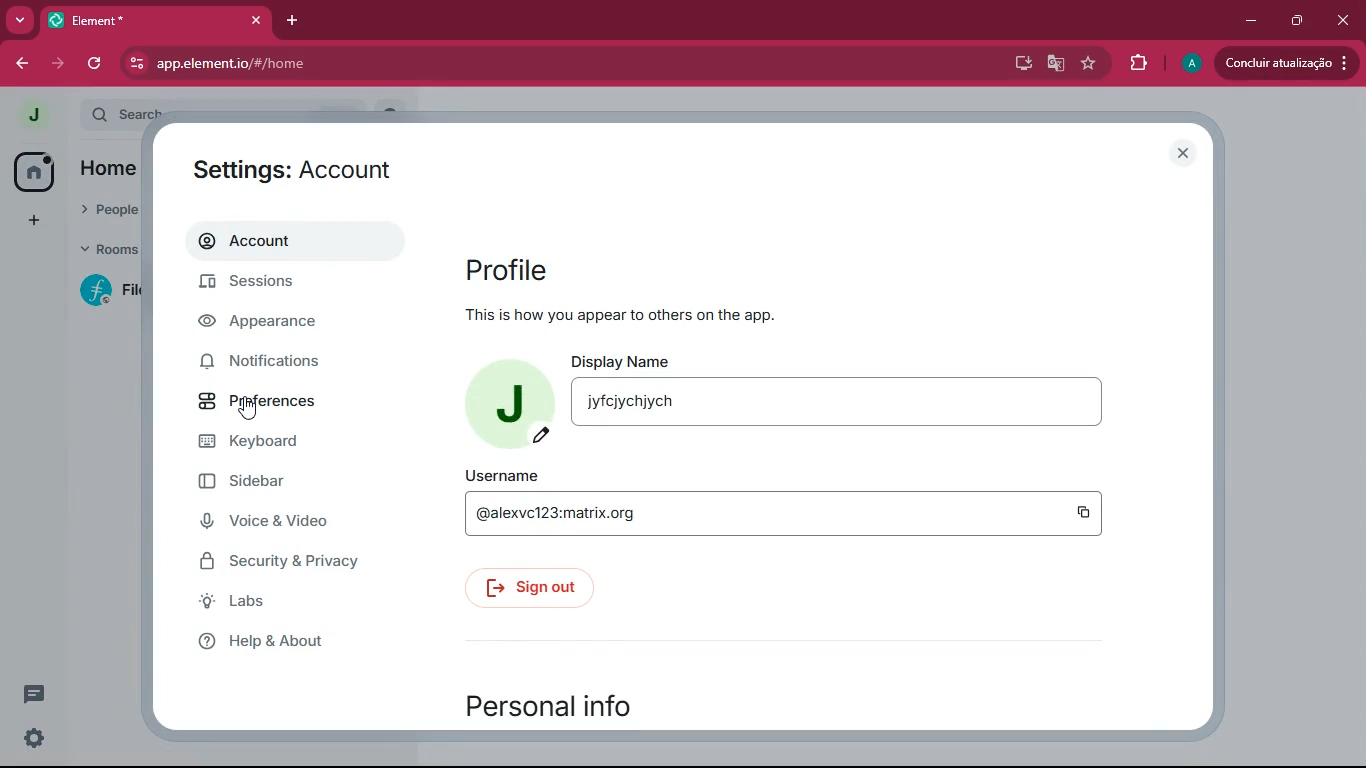 This screenshot has width=1366, height=768. What do you see at coordinates (620, 315) in the screenshot?
I see `this is how you appear to others on the app.` at bounding box center [620, 315].